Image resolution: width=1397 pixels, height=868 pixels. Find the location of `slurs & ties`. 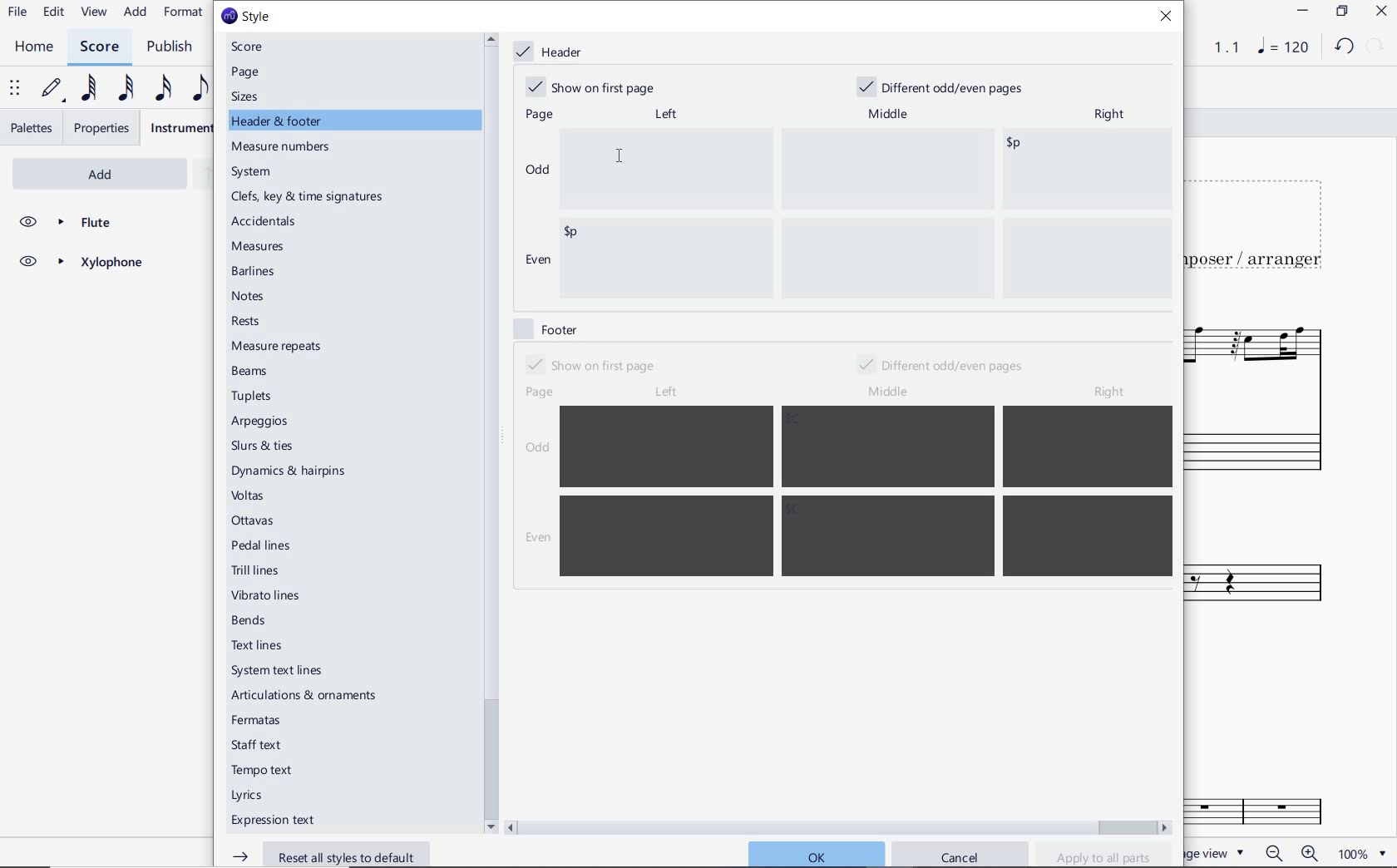

slurs & ties is located at coordinates (263, 447).